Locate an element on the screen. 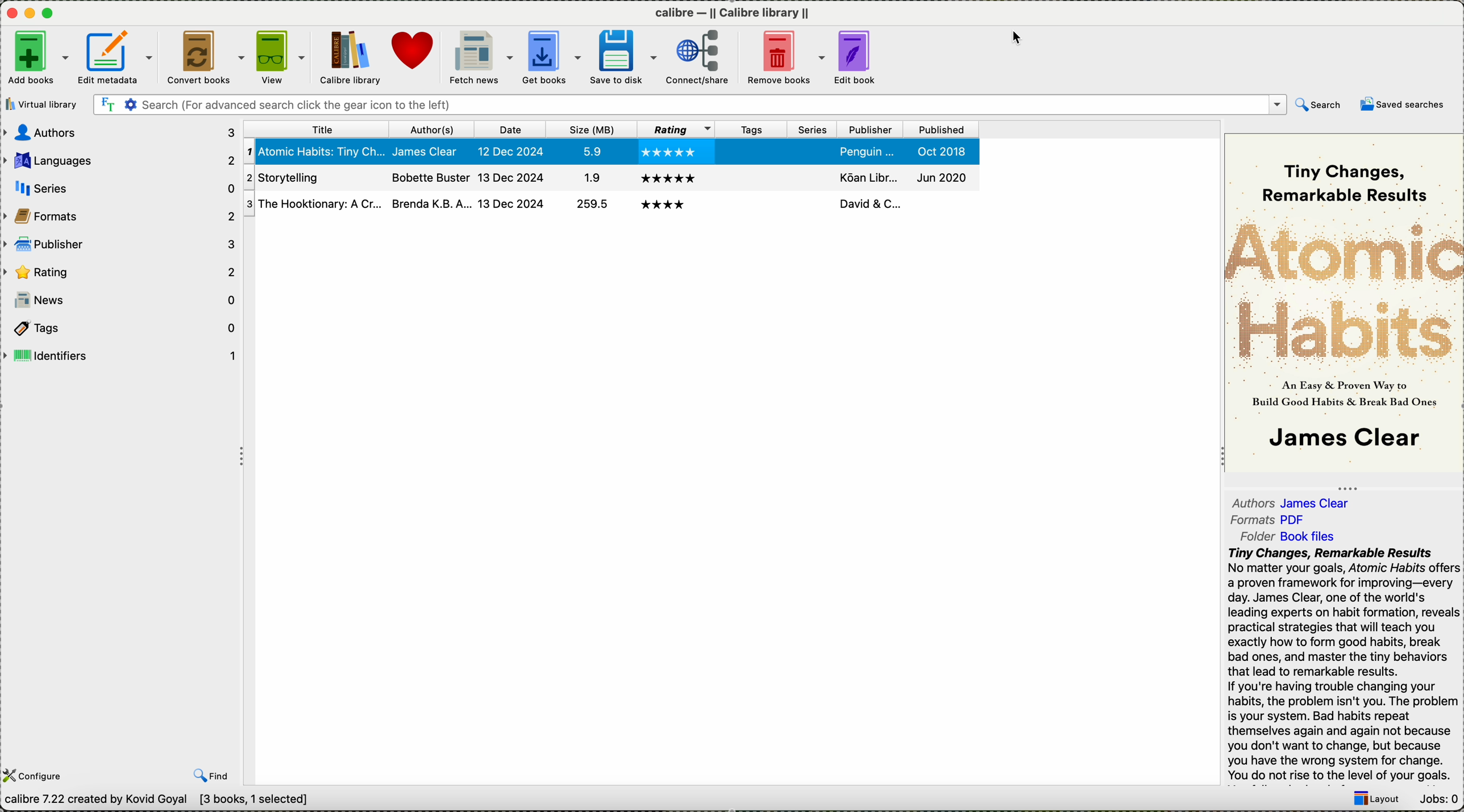 Image resolution: width=1464 pixels, height=812 pixels. James Clear is located at coordinates (1342, 440).